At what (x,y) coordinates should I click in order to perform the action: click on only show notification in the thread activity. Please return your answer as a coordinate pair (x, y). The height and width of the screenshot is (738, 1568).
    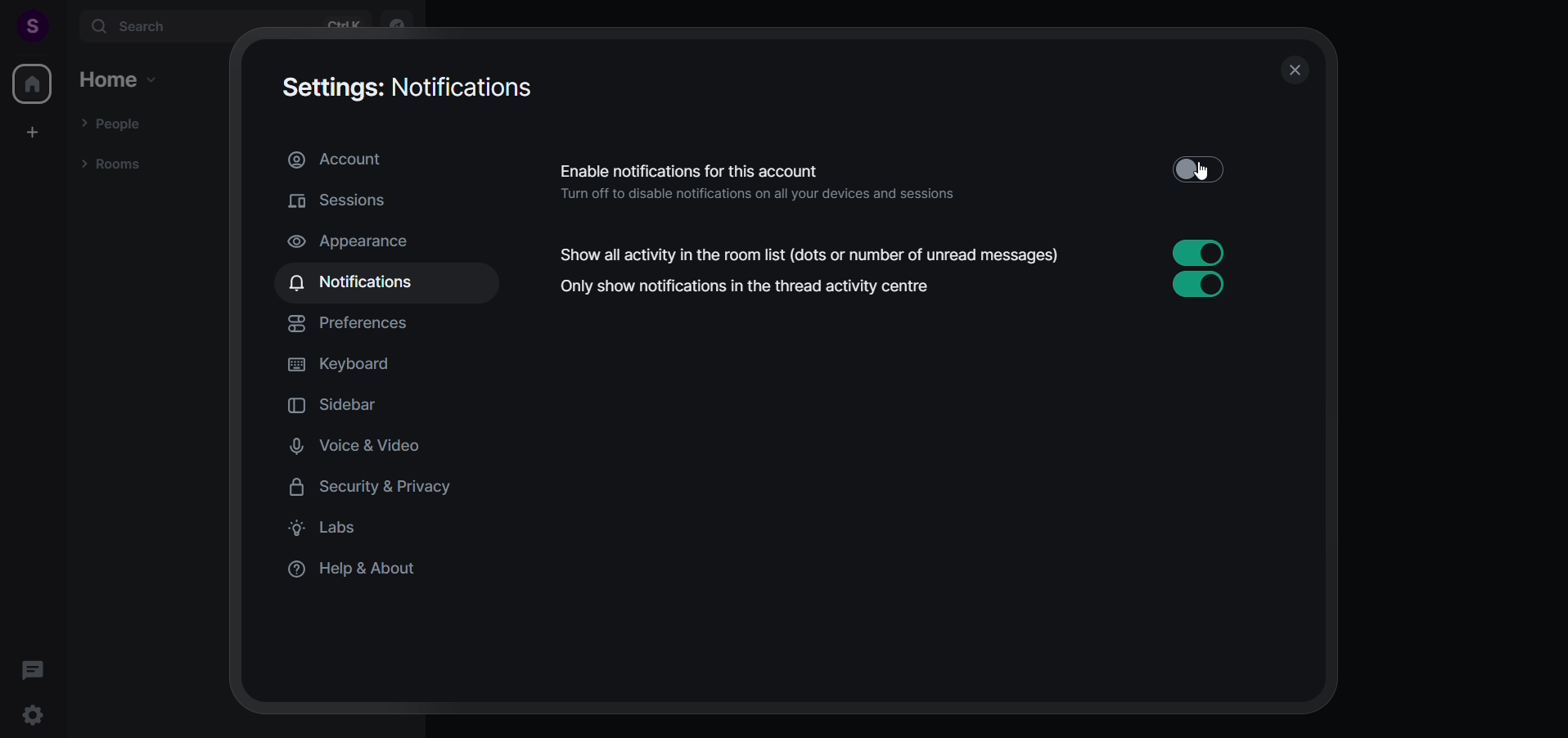
    Looking at the image, I should click on (905, 288).